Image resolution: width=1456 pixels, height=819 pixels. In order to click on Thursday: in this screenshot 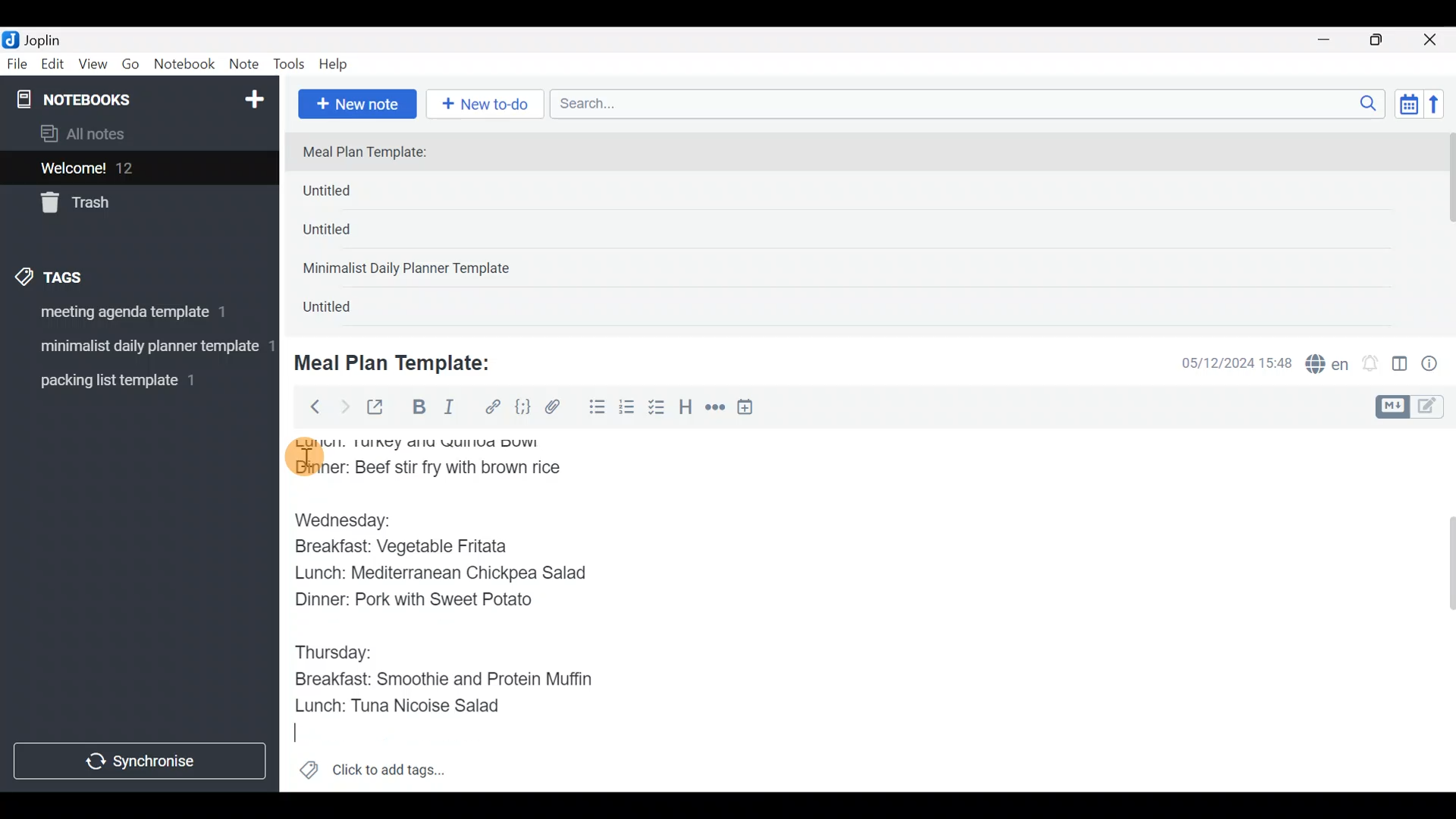, I will do `click(340, 651)`.